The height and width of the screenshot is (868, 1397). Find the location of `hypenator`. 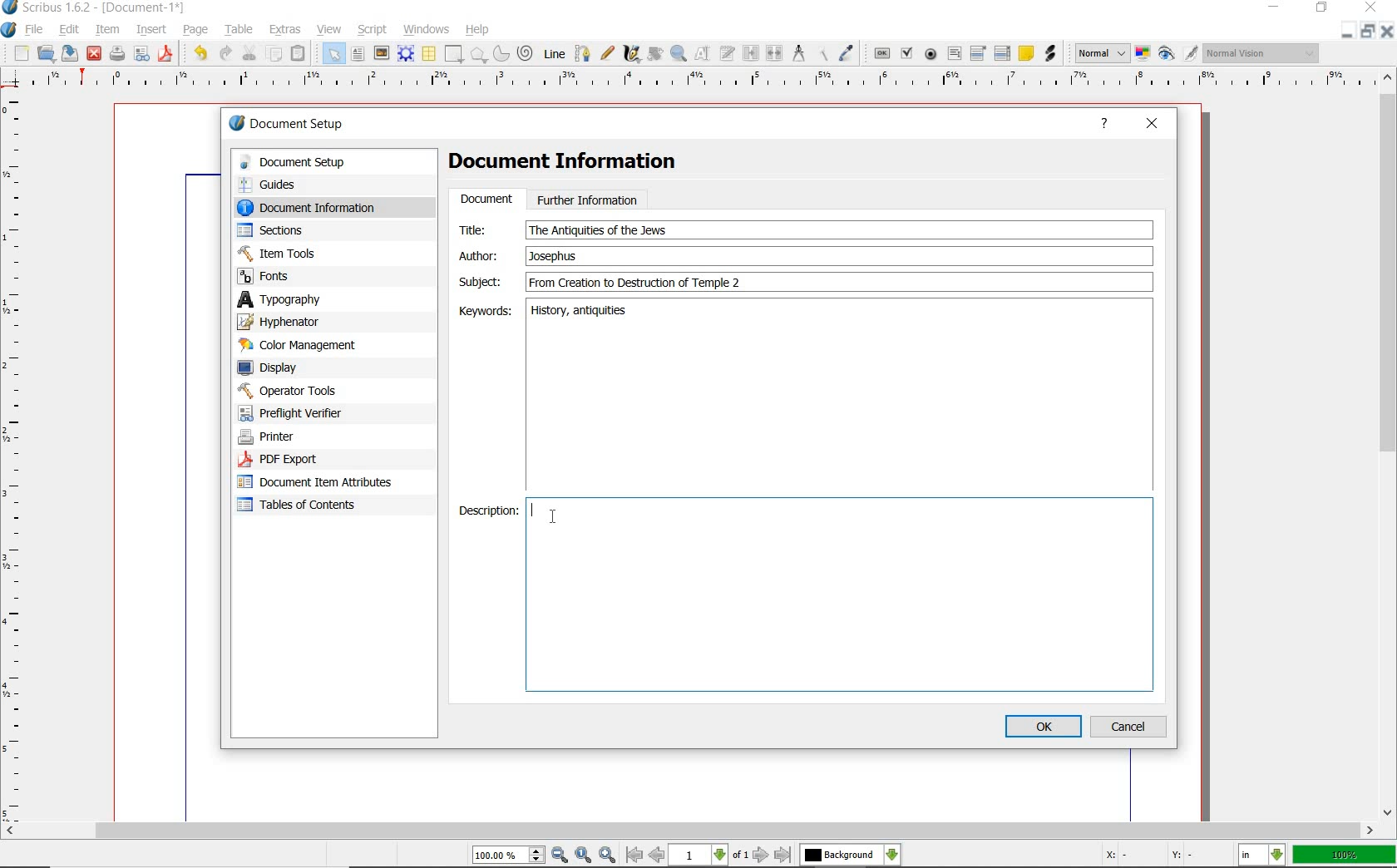

hypenator is located at coordinates (291, 322).